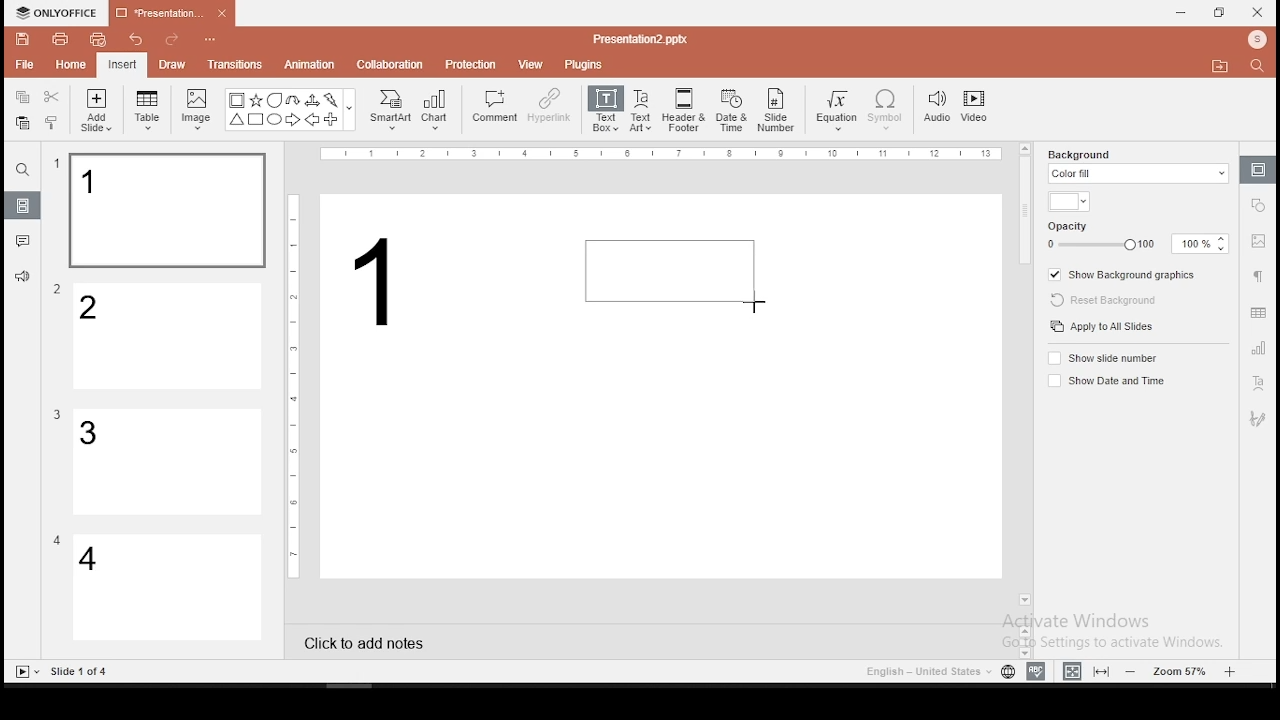 This screenshot has height=720, width=1280. Describe the element at coordinates (274, 100) in the screenshot. I see `Bubble` at that location.